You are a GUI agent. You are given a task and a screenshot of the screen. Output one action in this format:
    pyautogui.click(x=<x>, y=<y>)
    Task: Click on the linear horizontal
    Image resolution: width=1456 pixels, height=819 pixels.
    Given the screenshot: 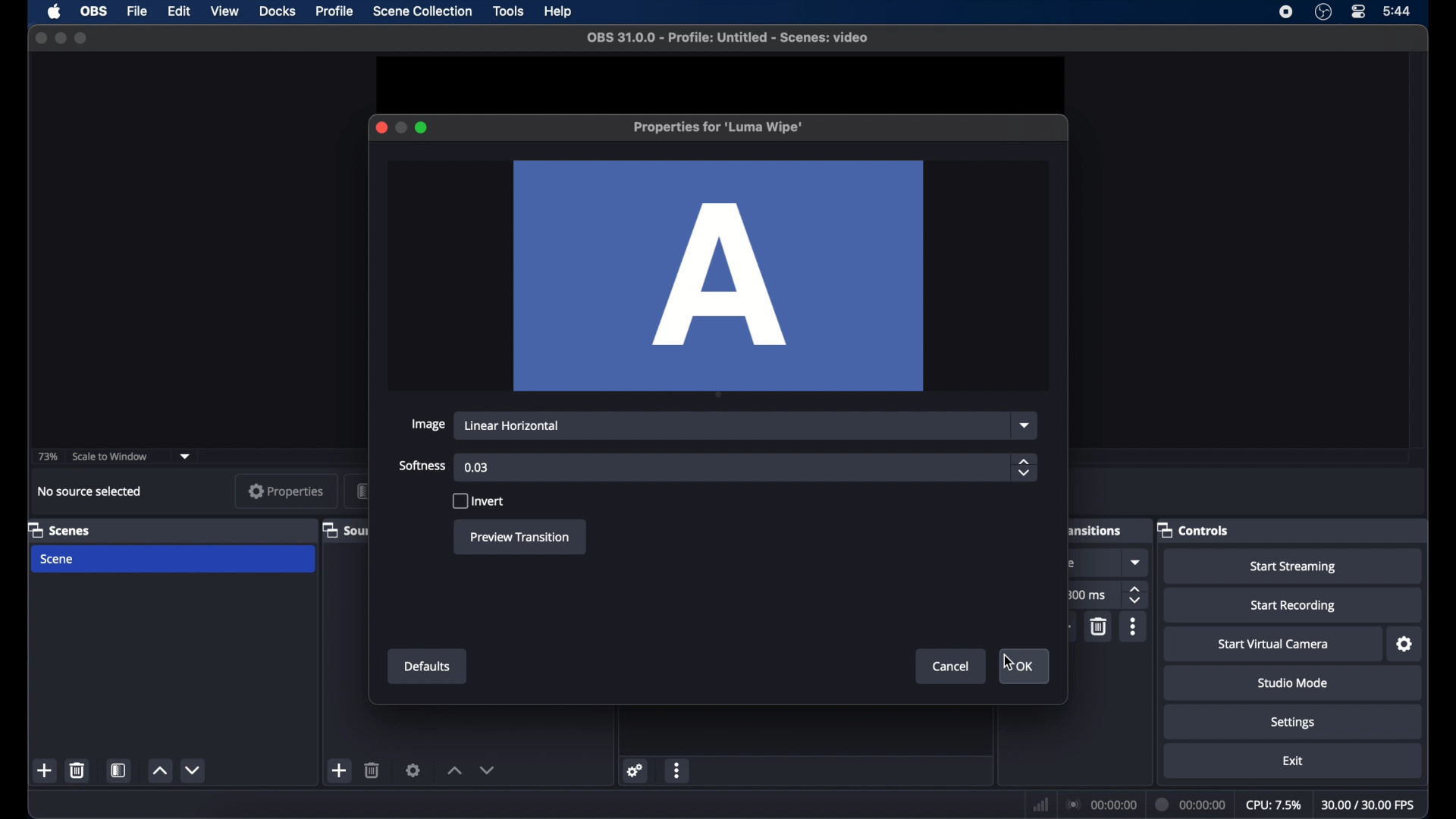 What is the action you would take?
    pyautogui.click(x=513, y=425)
    